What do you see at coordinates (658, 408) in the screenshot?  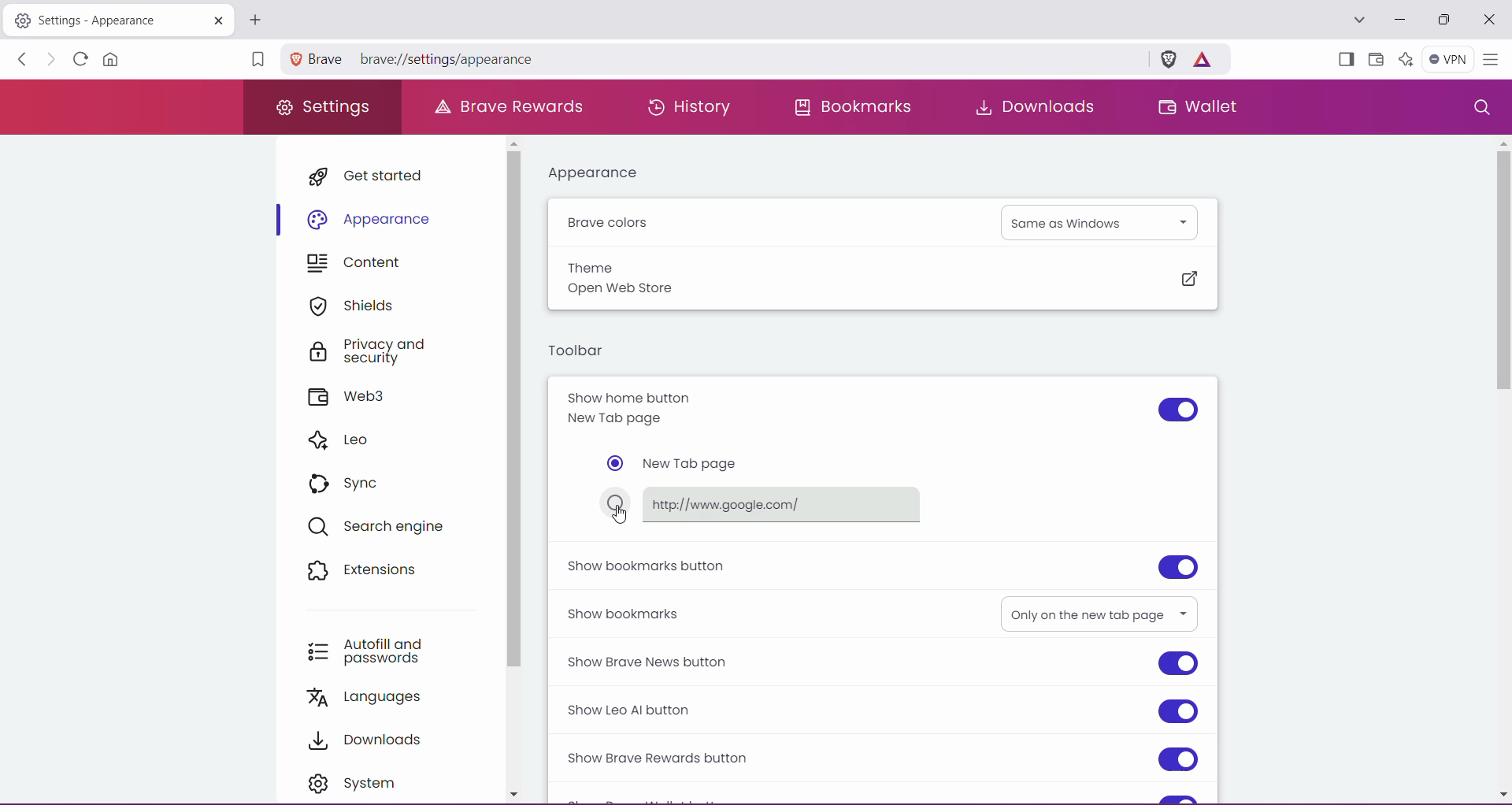 I see `Show Home Button` at bounding box center [658, 408].